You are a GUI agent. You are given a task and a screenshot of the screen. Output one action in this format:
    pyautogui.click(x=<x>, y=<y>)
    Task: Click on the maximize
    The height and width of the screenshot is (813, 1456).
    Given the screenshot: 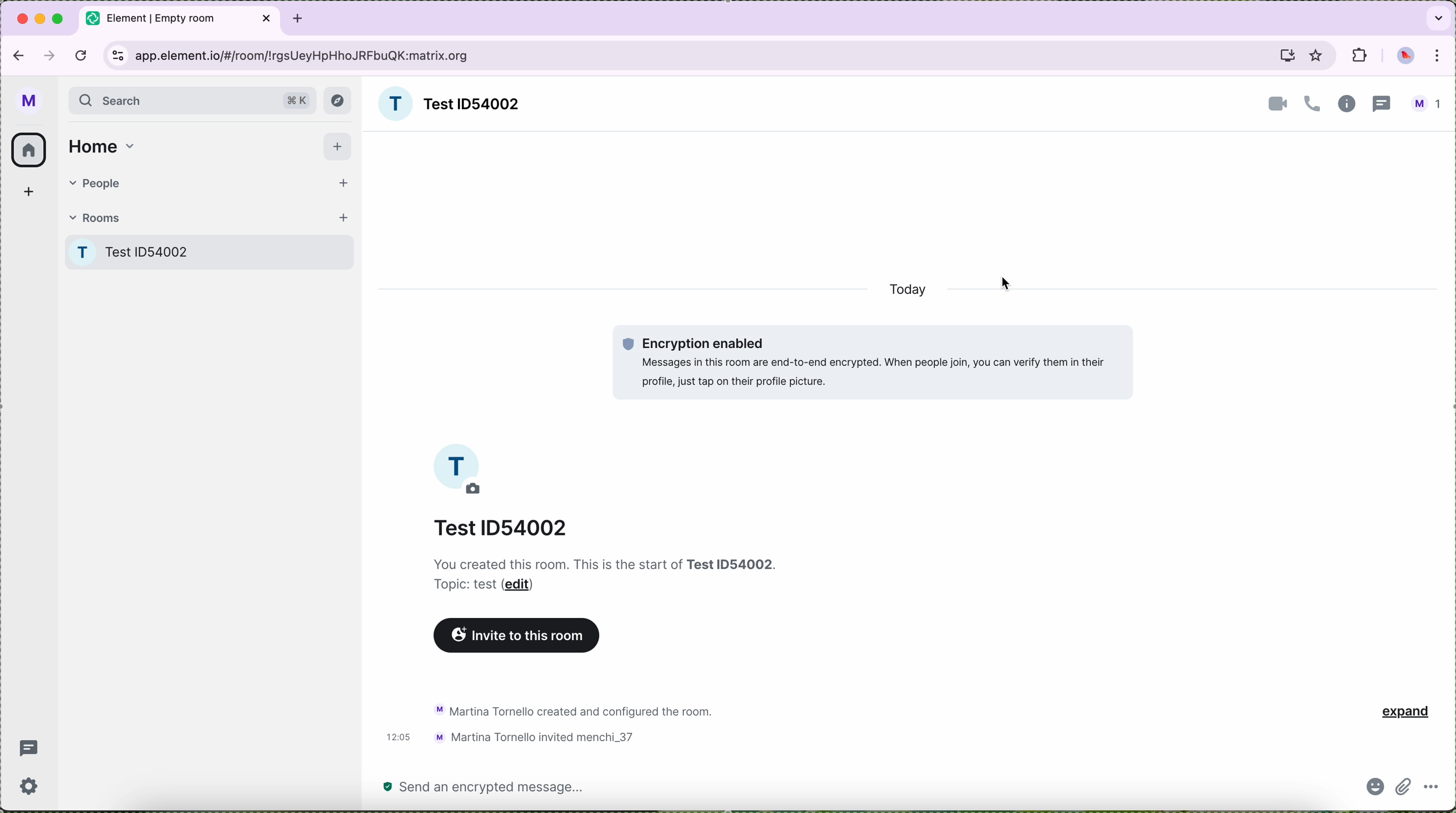 What is the action you would take?
    pyautogui.click(x=61, y=20)
    